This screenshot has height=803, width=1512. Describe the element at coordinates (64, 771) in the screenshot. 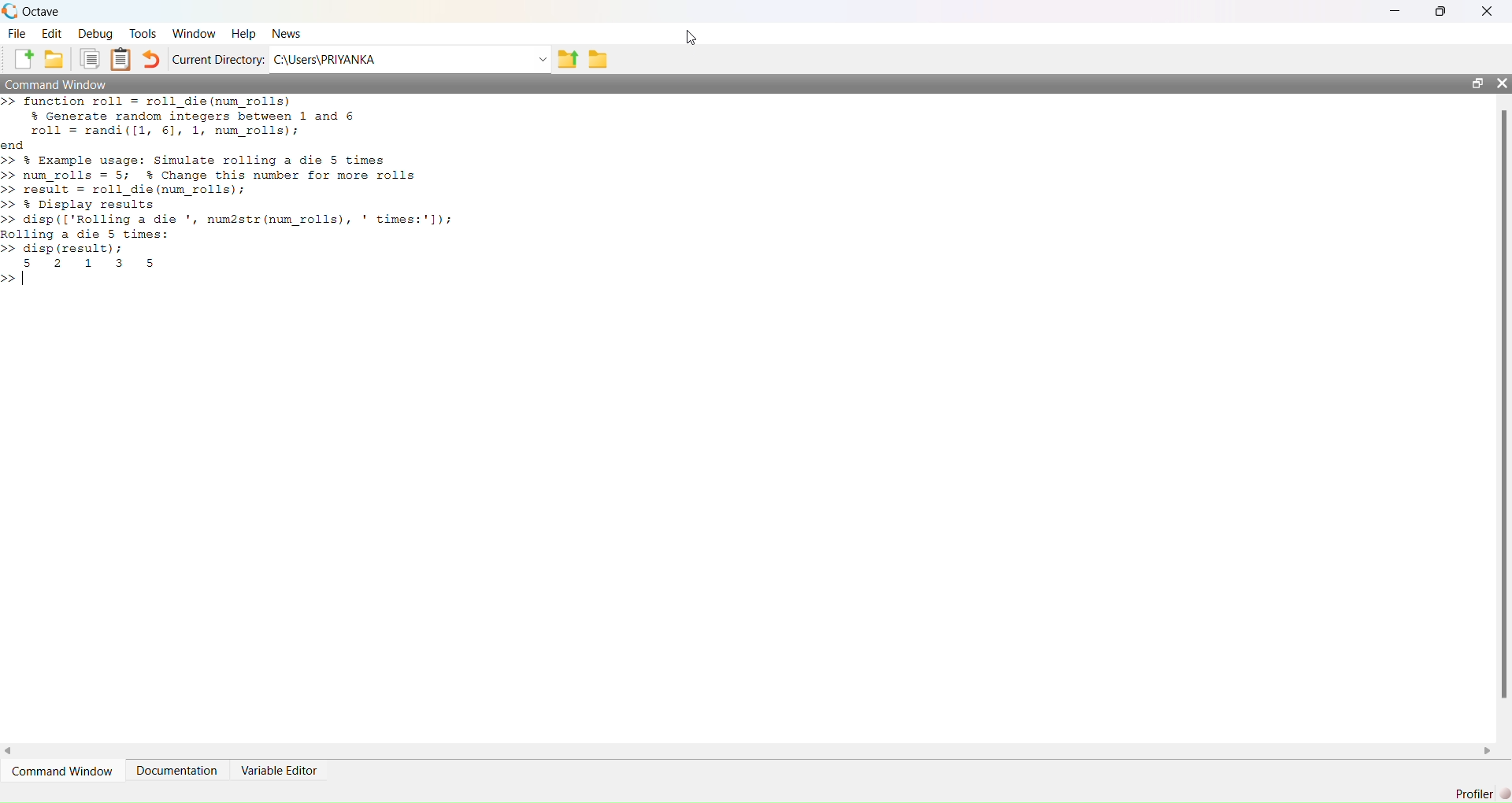

I see `command window` at that location.